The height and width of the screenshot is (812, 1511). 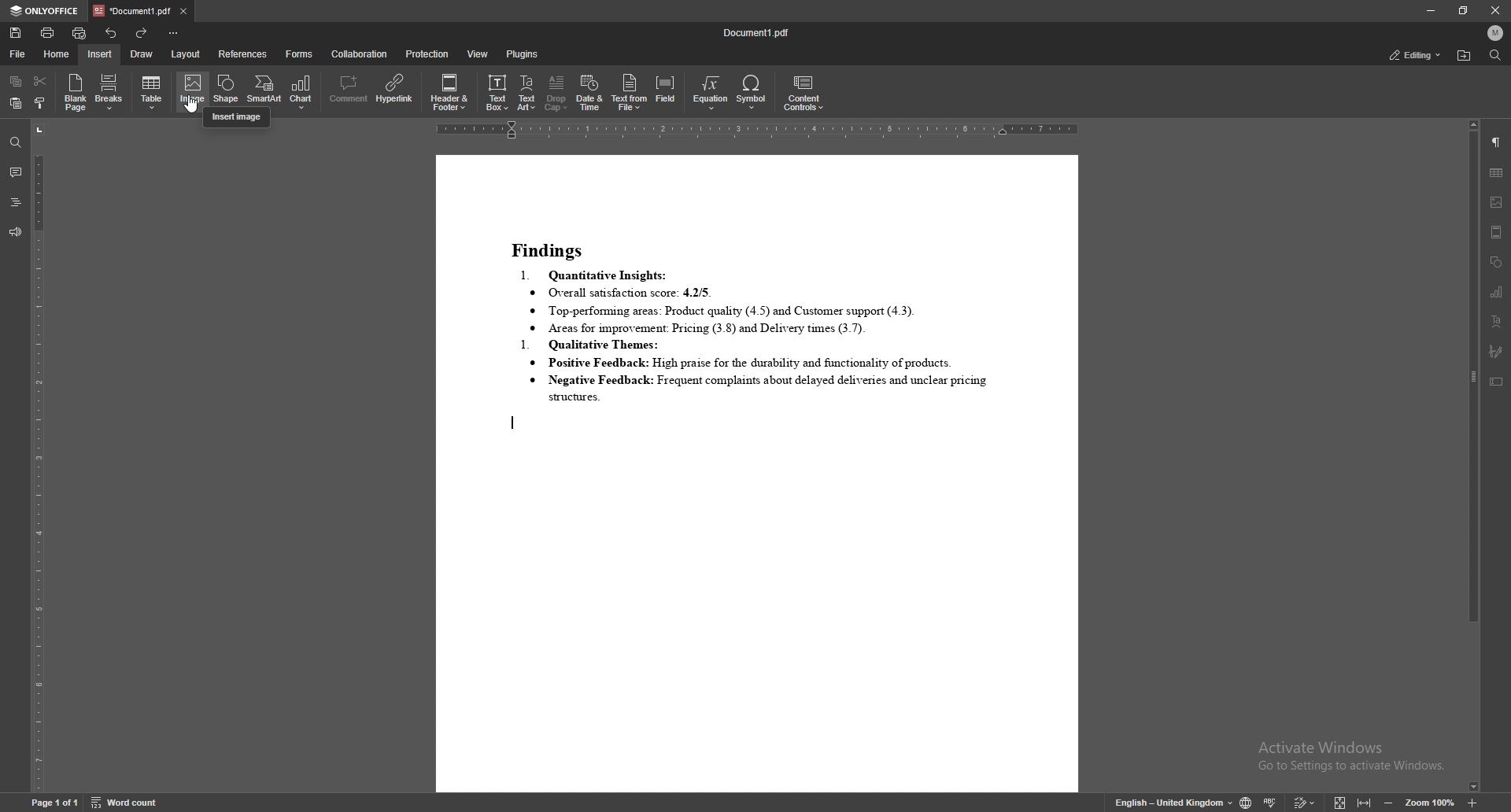 What do you see at coordinates (1473, 800) in the screenshot?
I see `zoom in` at bounding box center [1473, 800].